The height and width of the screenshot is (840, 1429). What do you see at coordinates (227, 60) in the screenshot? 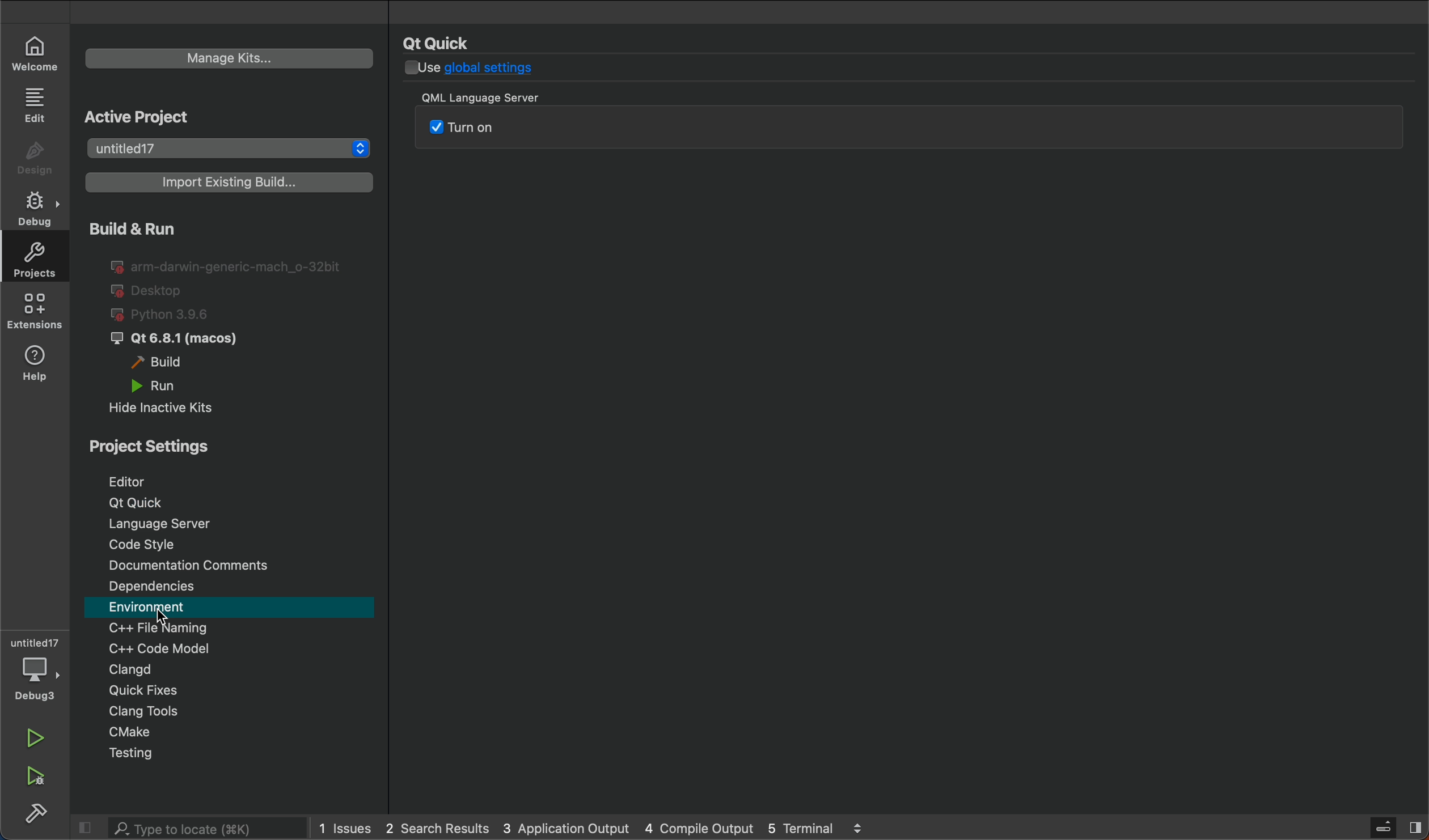
I see `kits` at bounding box center [227, 60].